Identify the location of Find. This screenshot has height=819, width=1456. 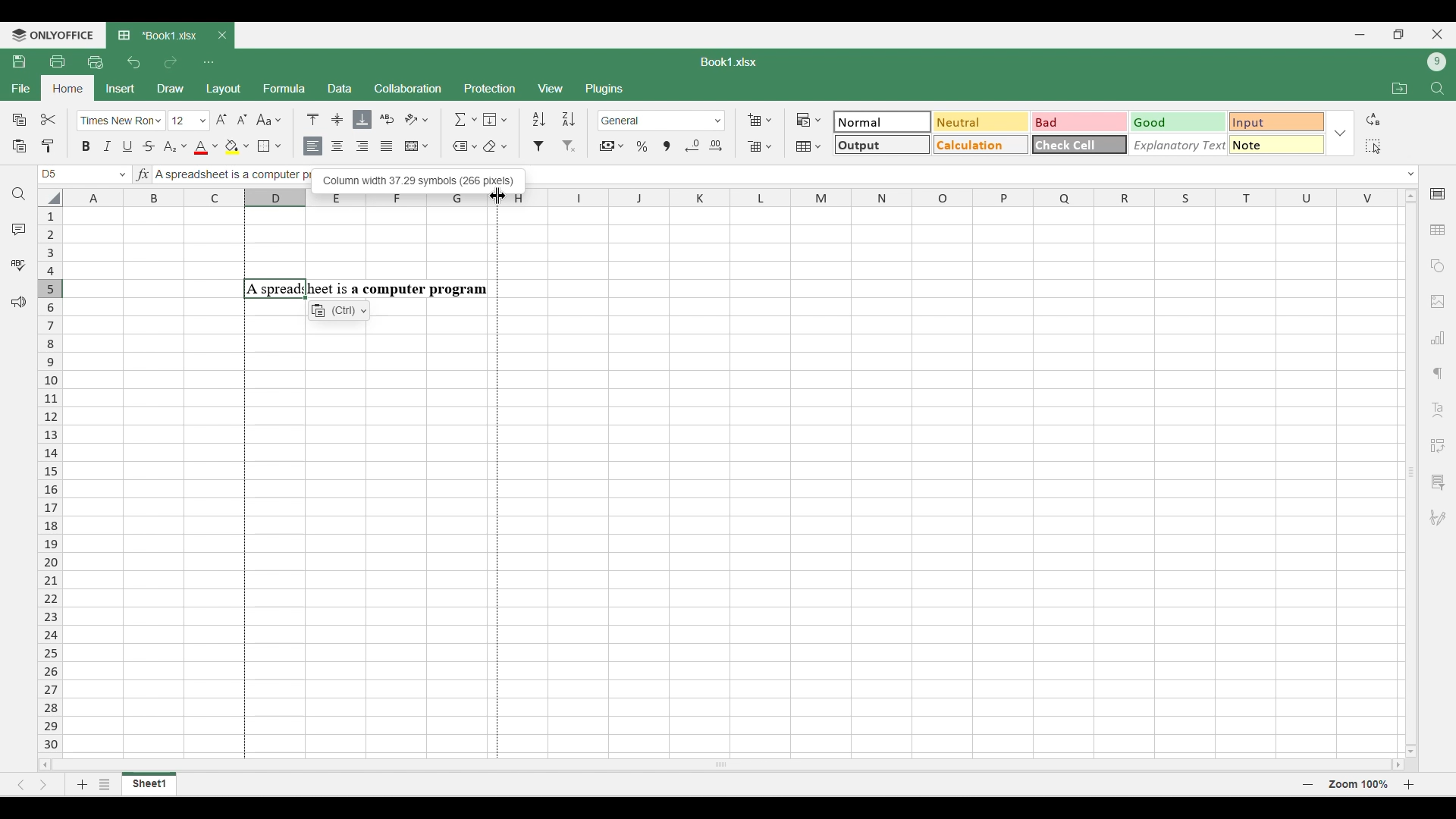
(1439, 89).